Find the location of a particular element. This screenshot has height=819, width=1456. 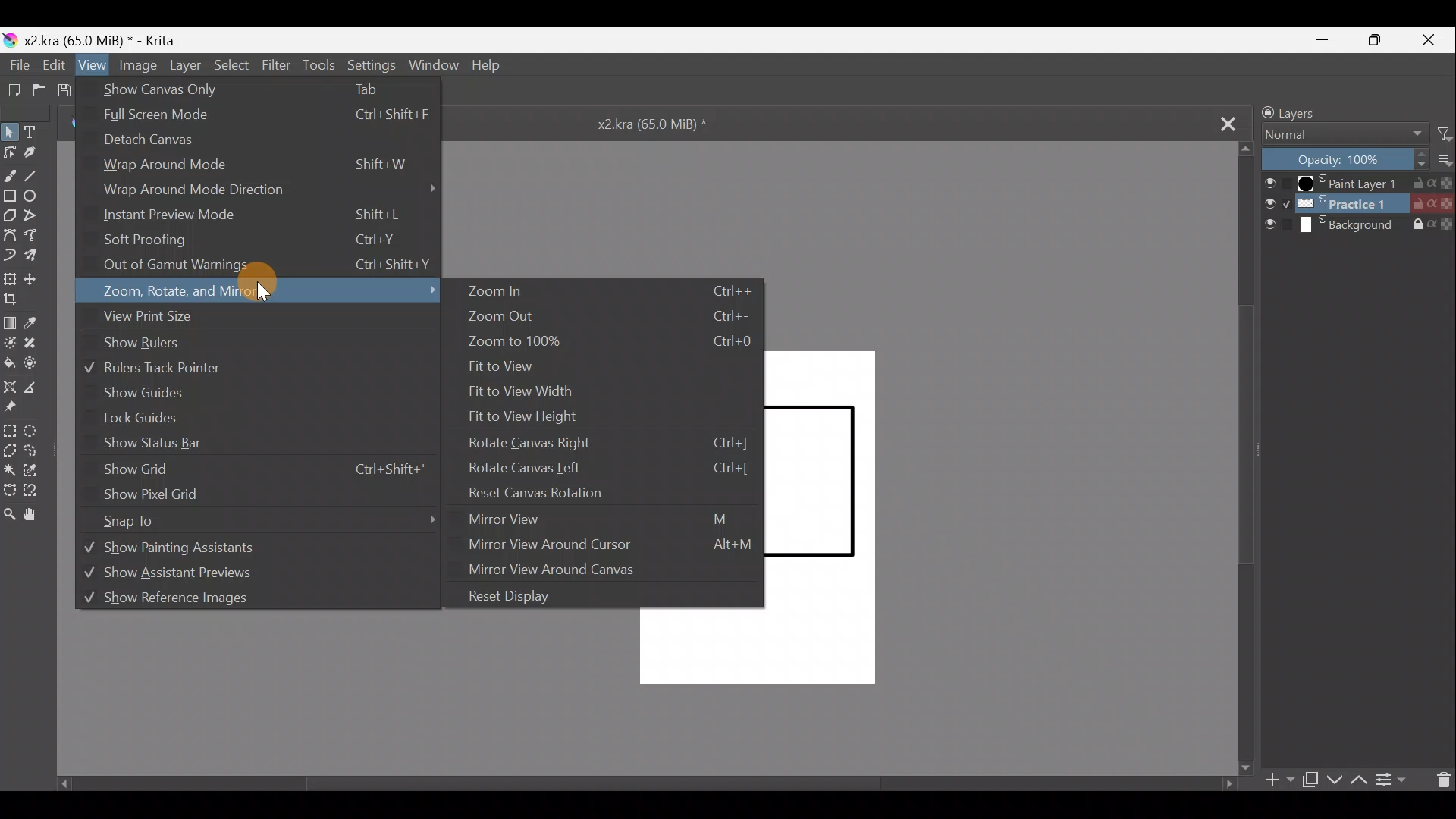

Layer 2 is located at coordinates (1357, 203).